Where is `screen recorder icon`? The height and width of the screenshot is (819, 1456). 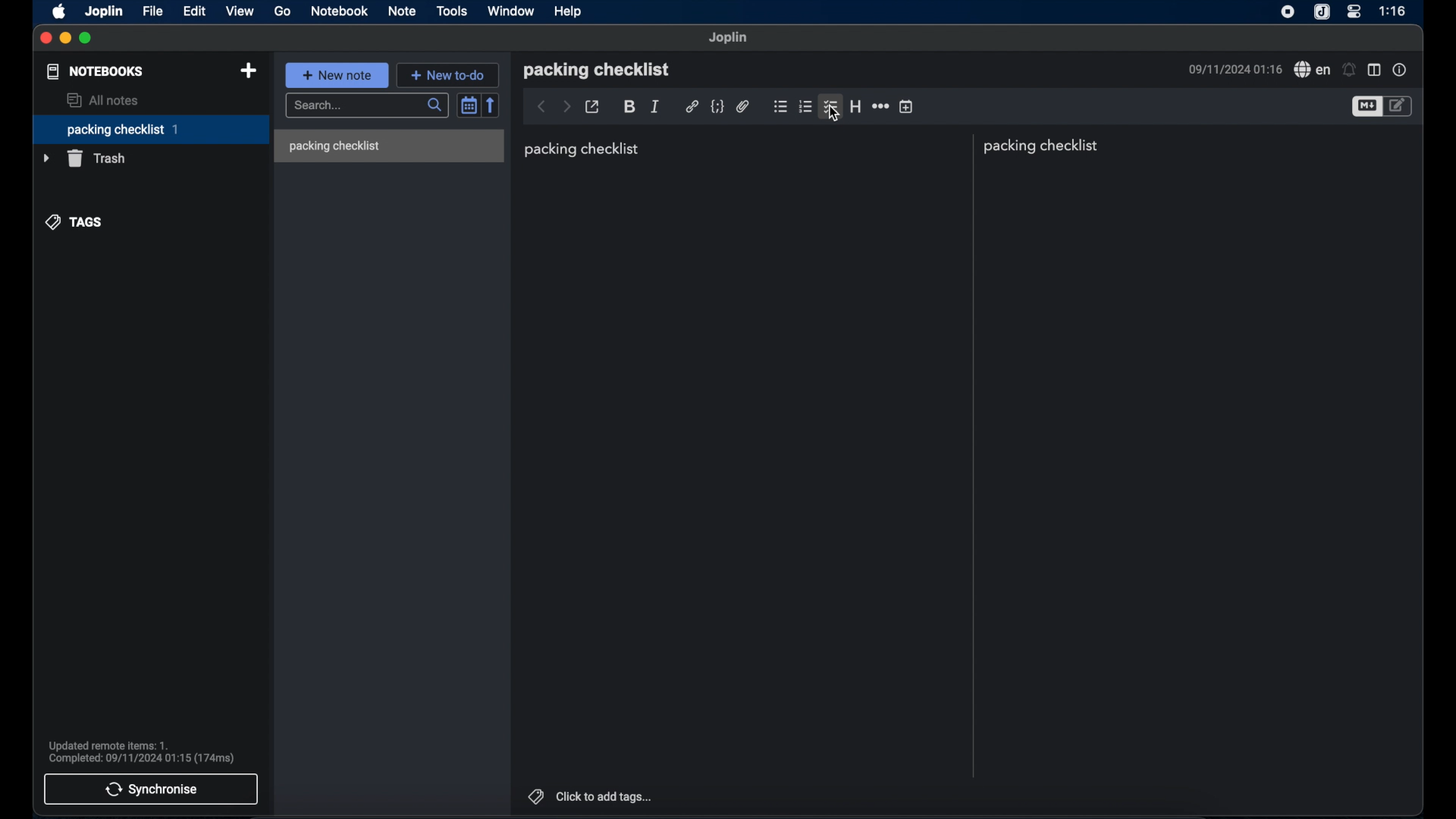 screen recorder icon is located at coordinates (1288, 13).